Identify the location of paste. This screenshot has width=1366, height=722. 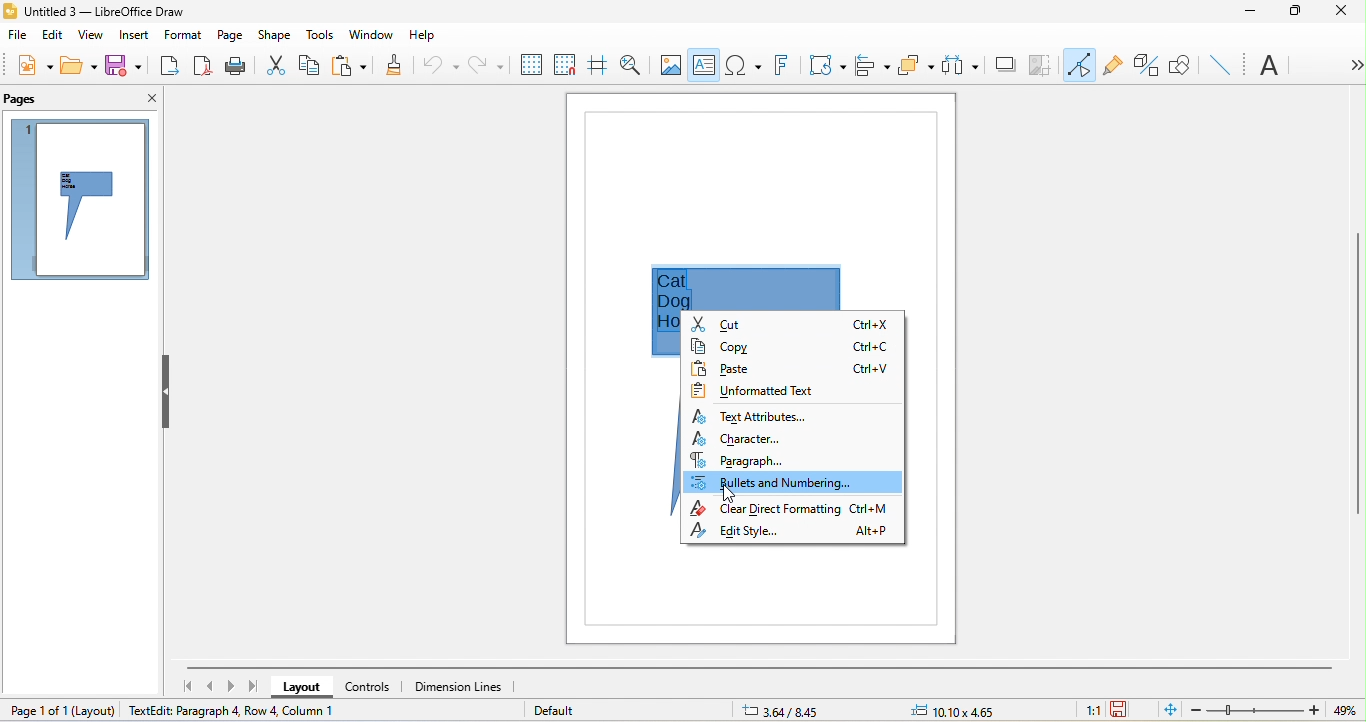
(790, 367).